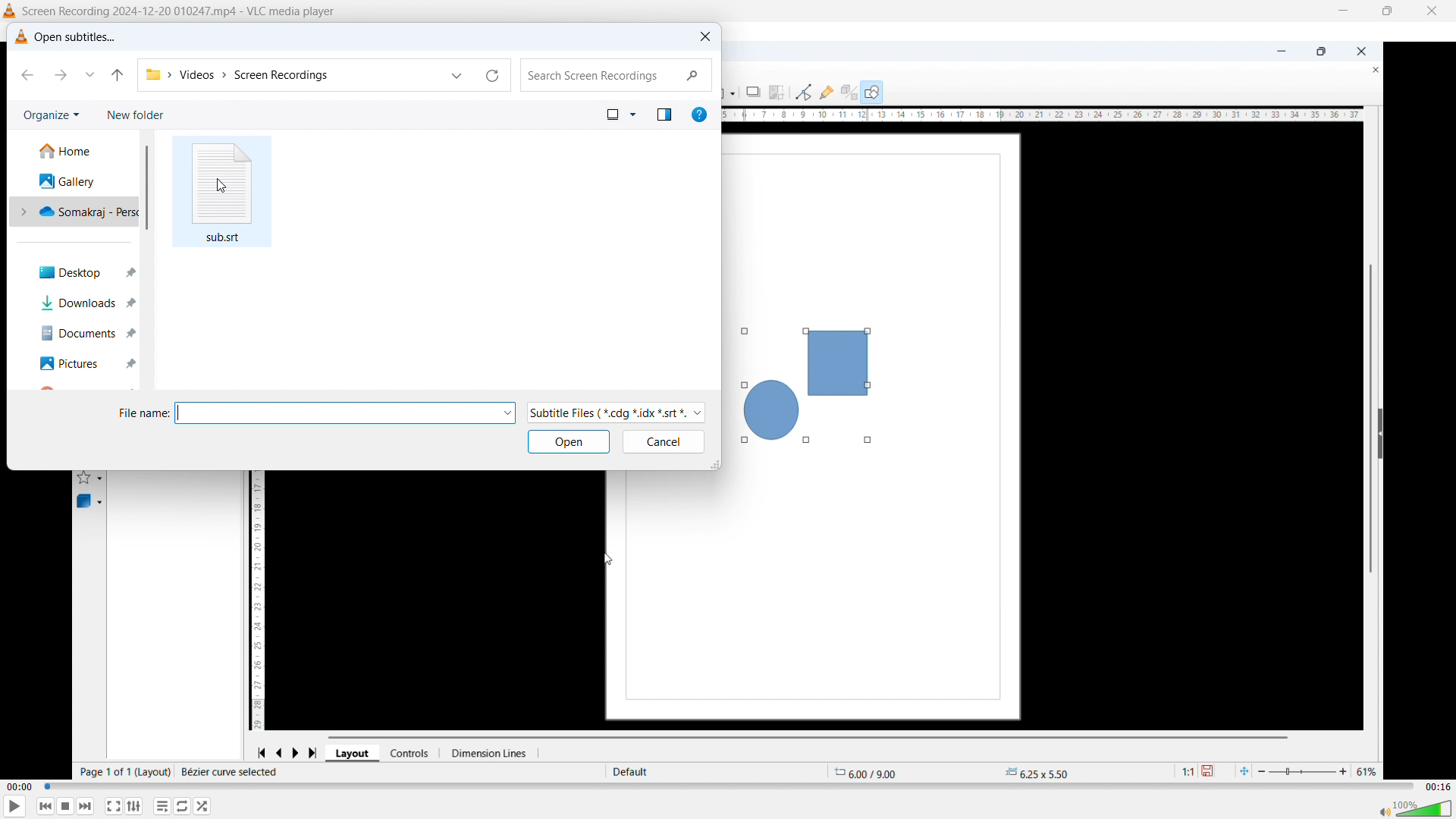 The width and height of the screenshot is (1456, 819). I want to click on save, so click(1213, 771).